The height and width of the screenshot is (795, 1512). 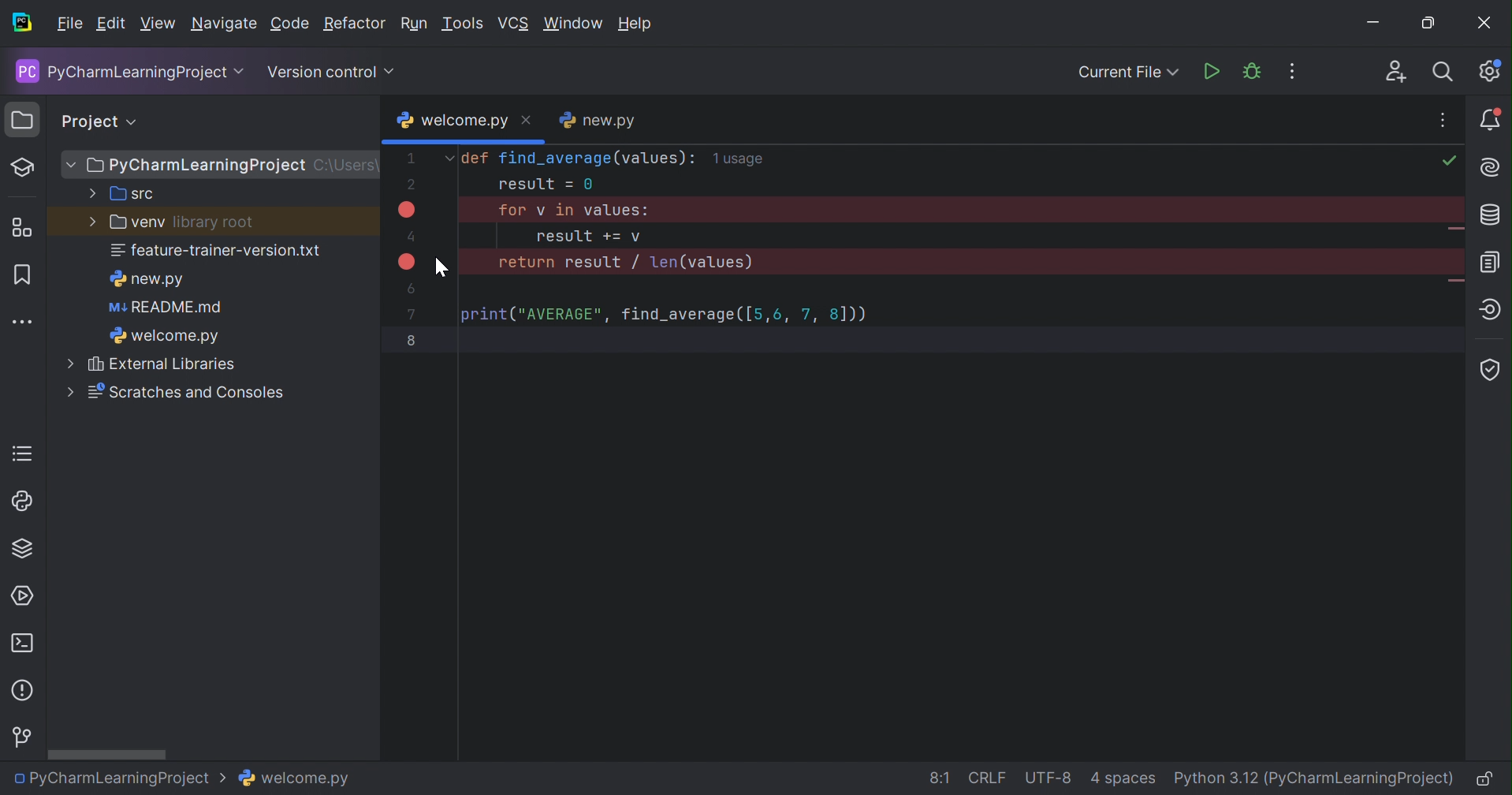 What do you see at coordinates (210, 222) in the screenshot?
I see `library root` at bounding box center [210, 222].